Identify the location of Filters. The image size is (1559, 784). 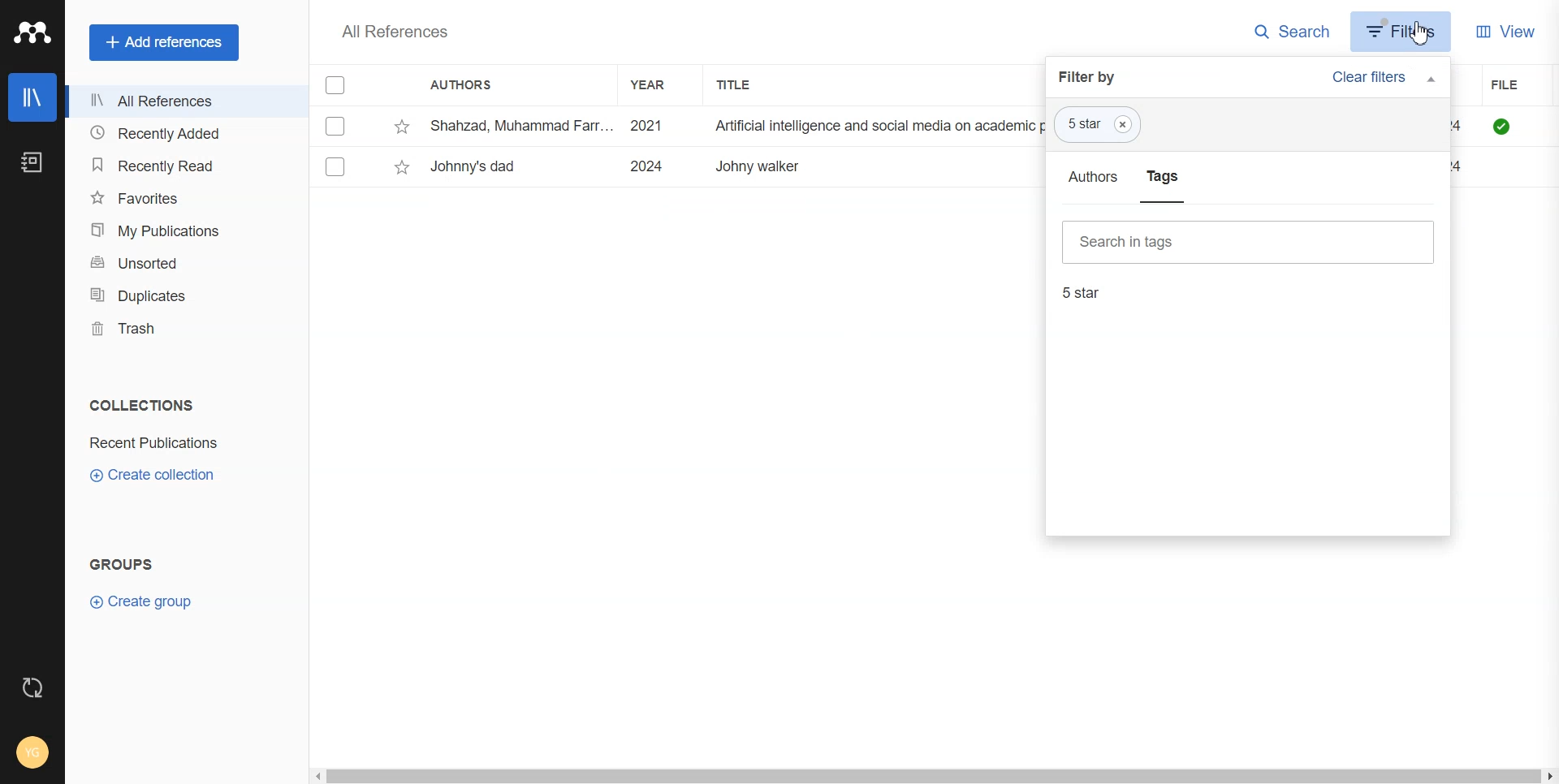
(1402, 31).